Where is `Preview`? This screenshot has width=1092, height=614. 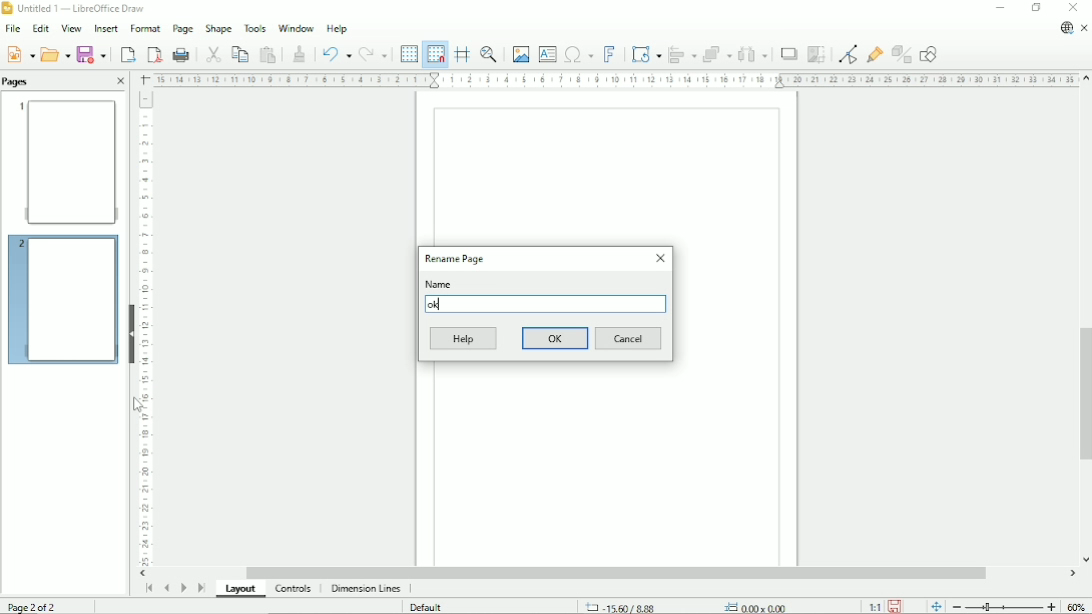
Preview is located at coordinates (65, 161).